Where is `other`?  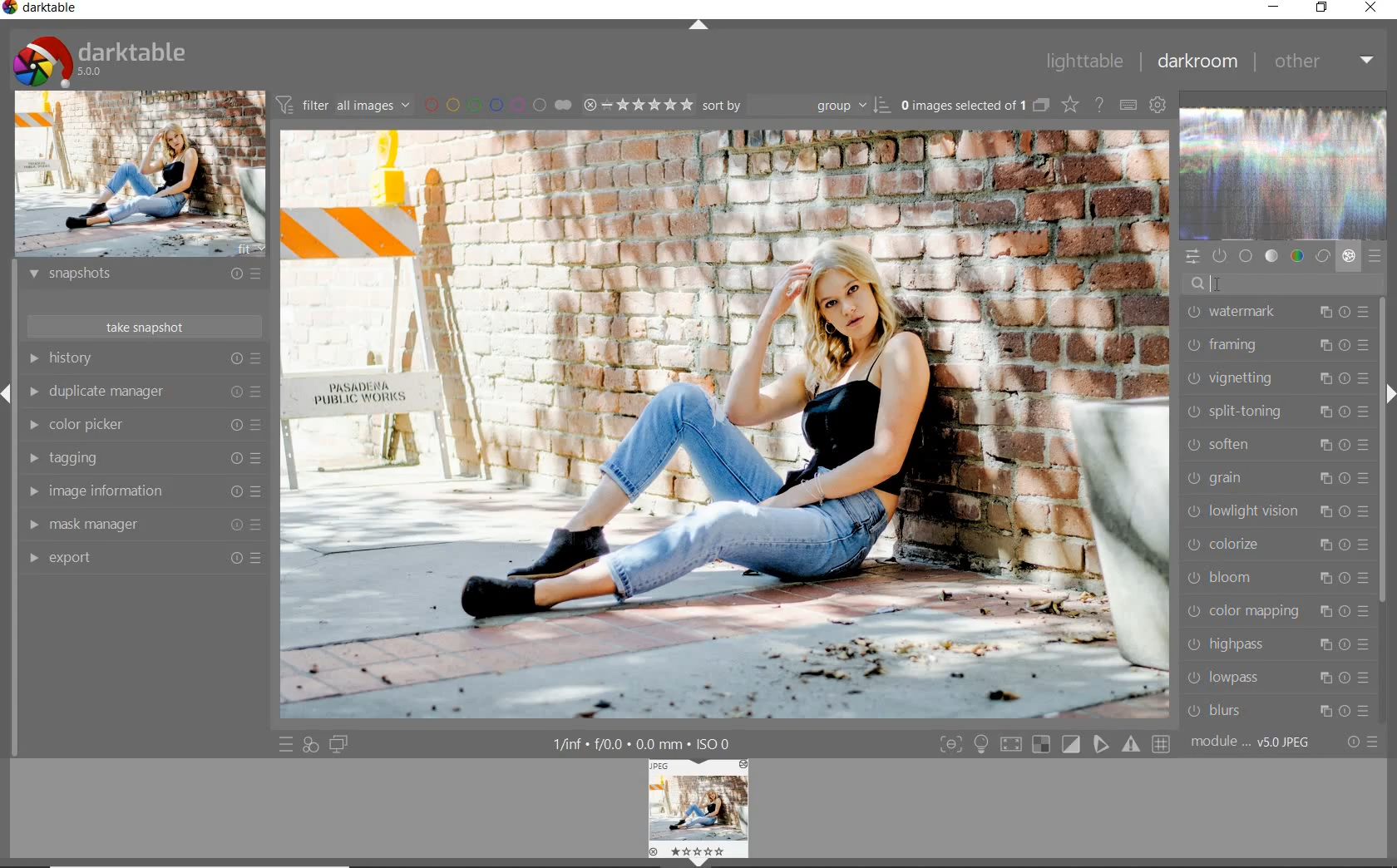
other is located at coordinates (1323, 62).